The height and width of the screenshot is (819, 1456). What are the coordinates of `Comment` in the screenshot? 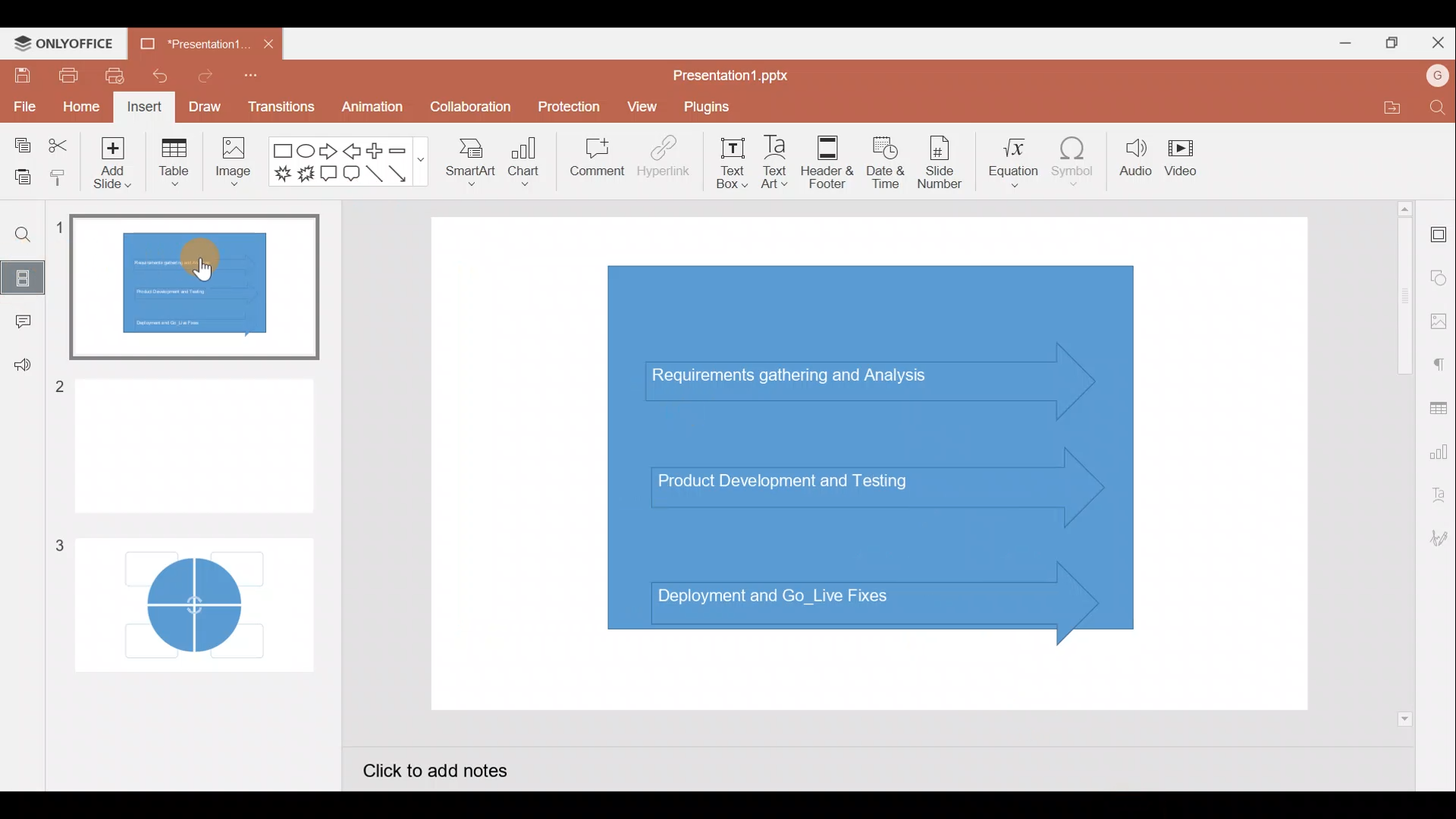 It's located at (19, 322).